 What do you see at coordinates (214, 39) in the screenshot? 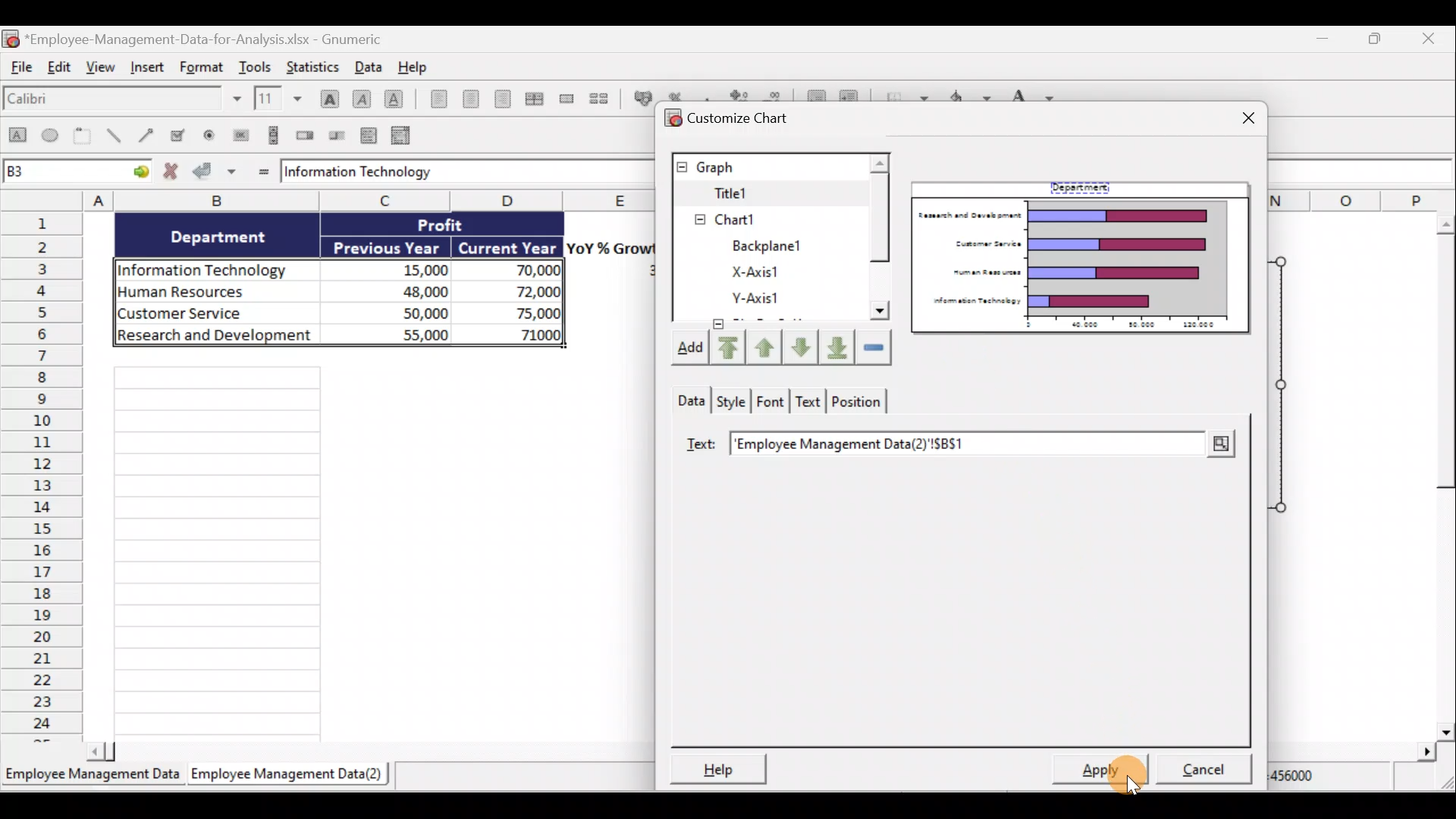
I see `*Employee-Management-Data-for-Analysis.xlsx - Gnumeric` at bounding box center [214, 39].